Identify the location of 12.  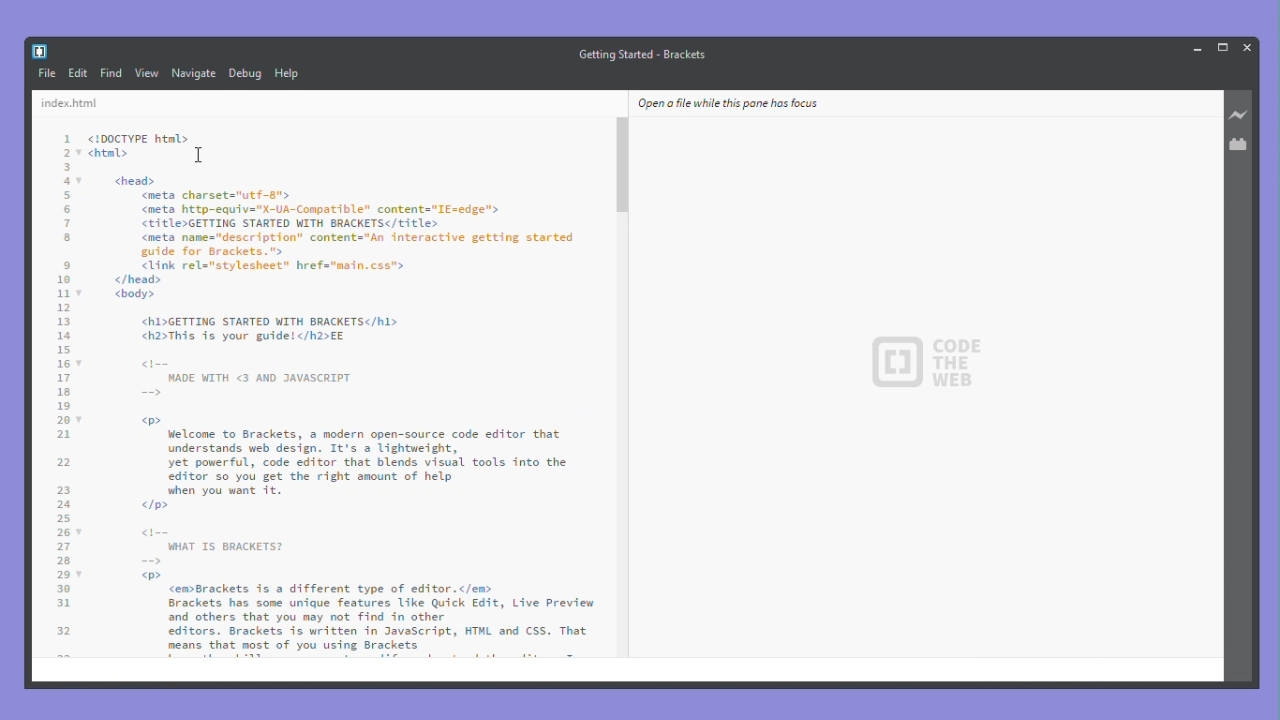
(64, 309).